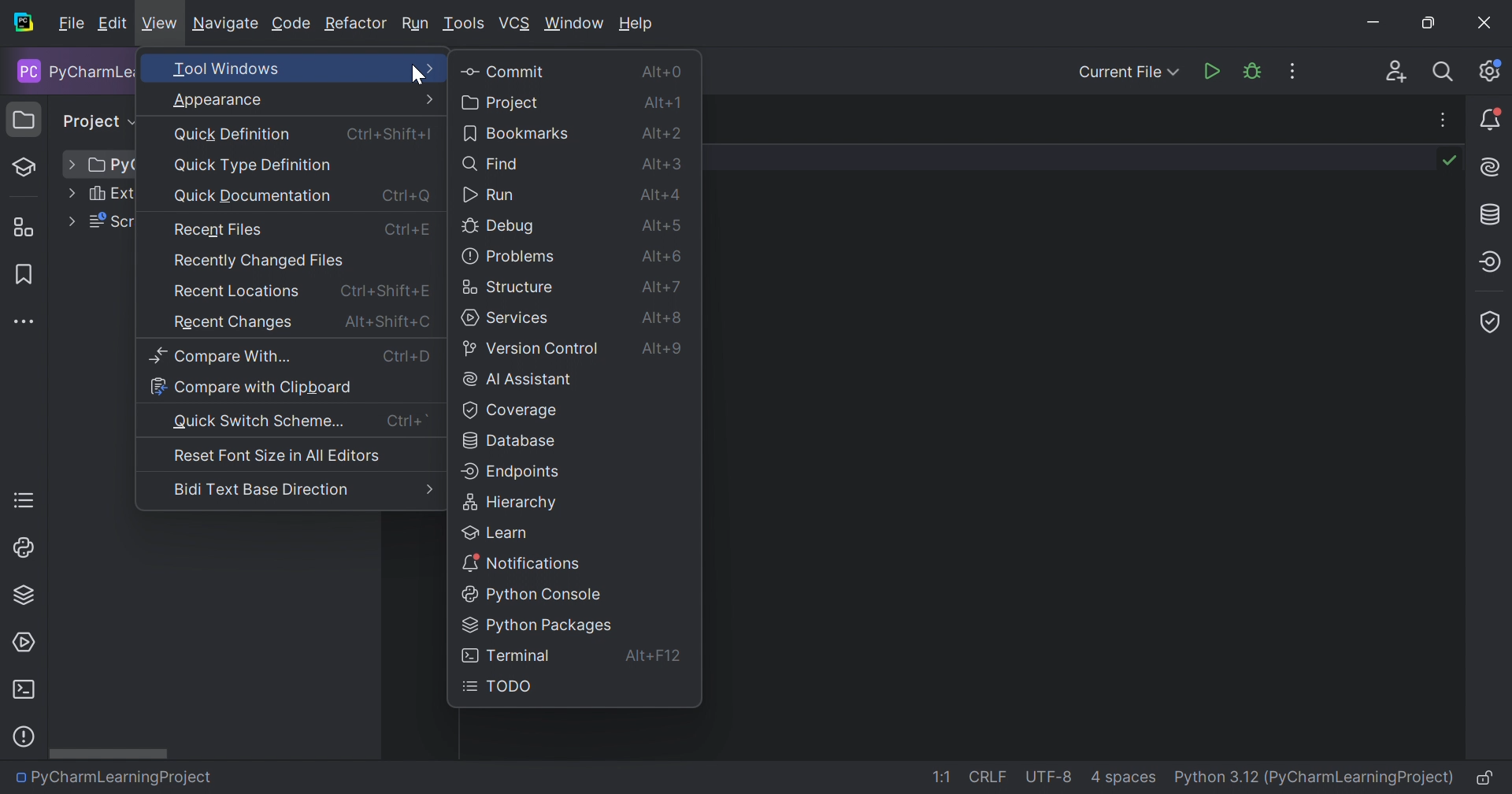  I want to click on Recent Changes, so click(233, 323).